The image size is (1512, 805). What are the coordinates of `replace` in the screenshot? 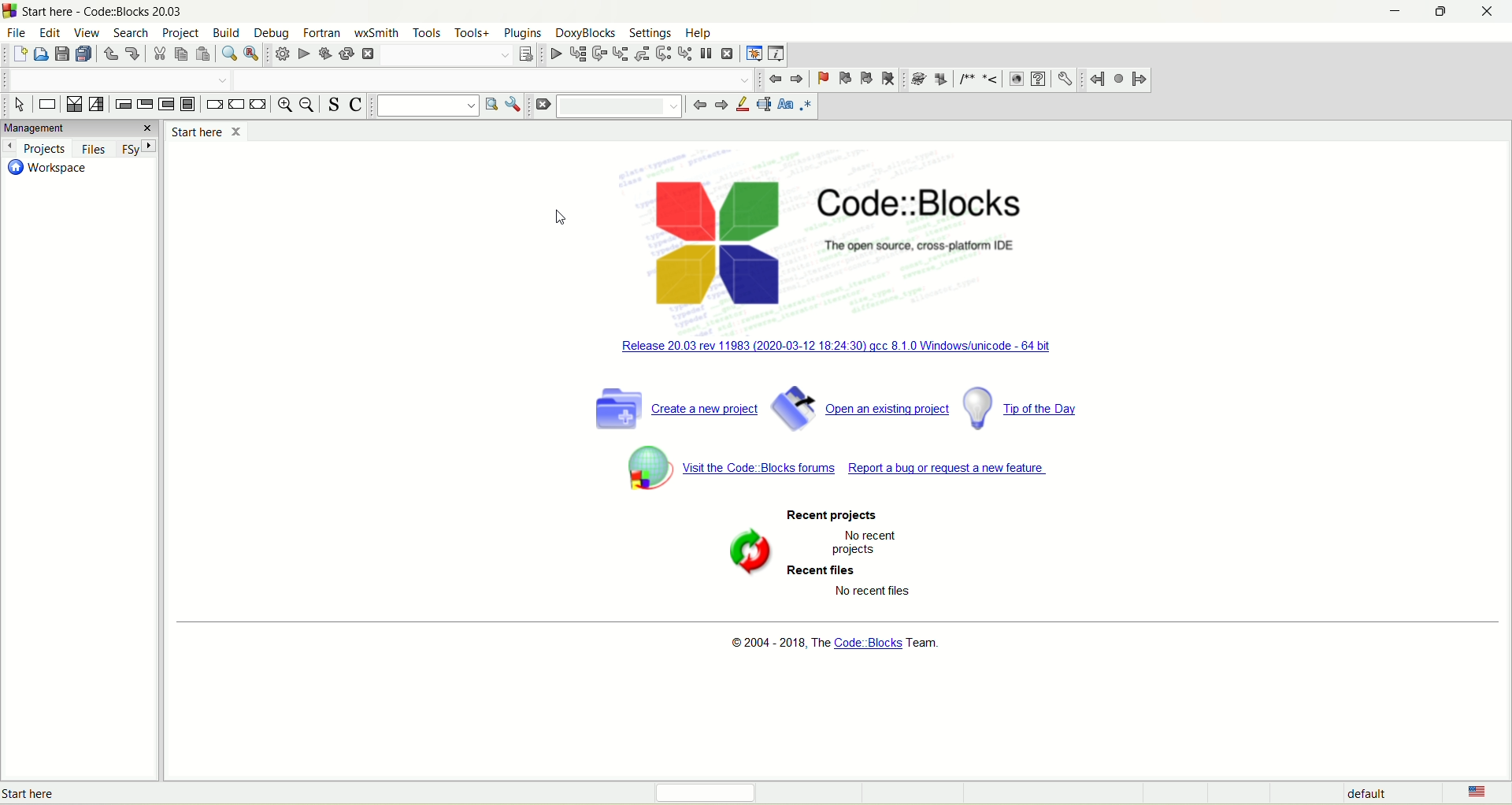 It's located at (251, 53).